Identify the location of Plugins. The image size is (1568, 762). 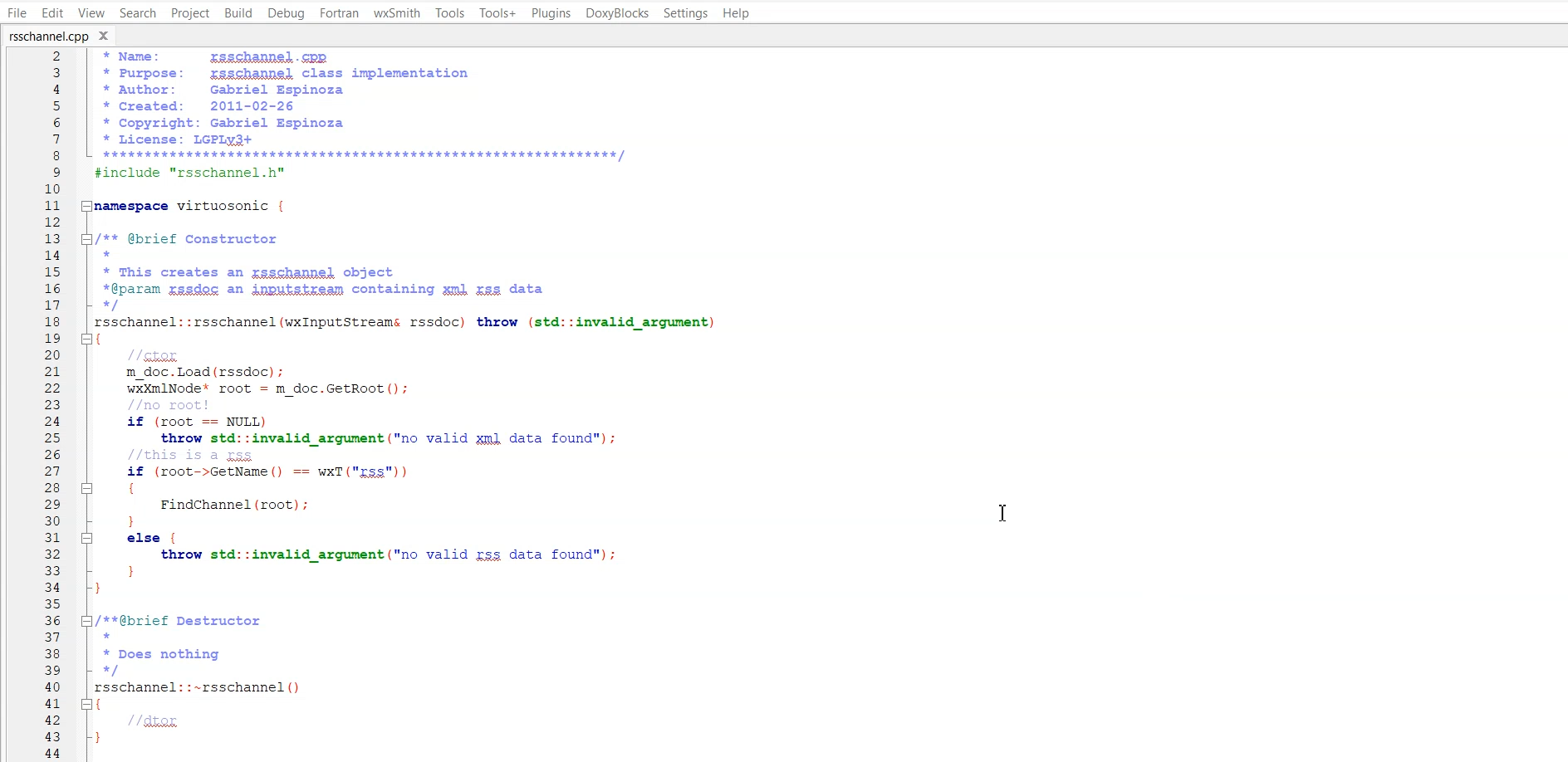
(551, 12).